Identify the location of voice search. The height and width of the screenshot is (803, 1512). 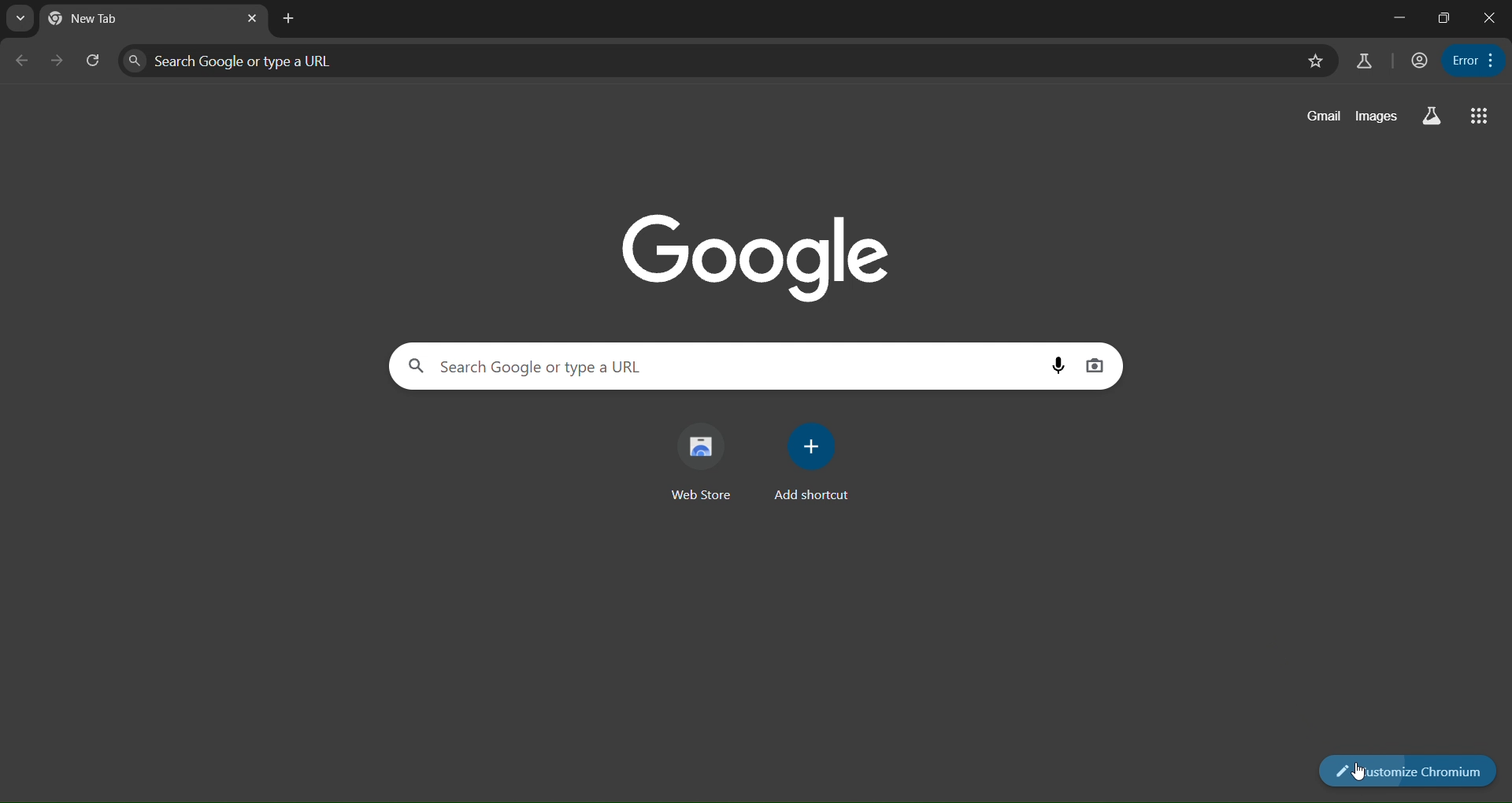
(1059, 362).